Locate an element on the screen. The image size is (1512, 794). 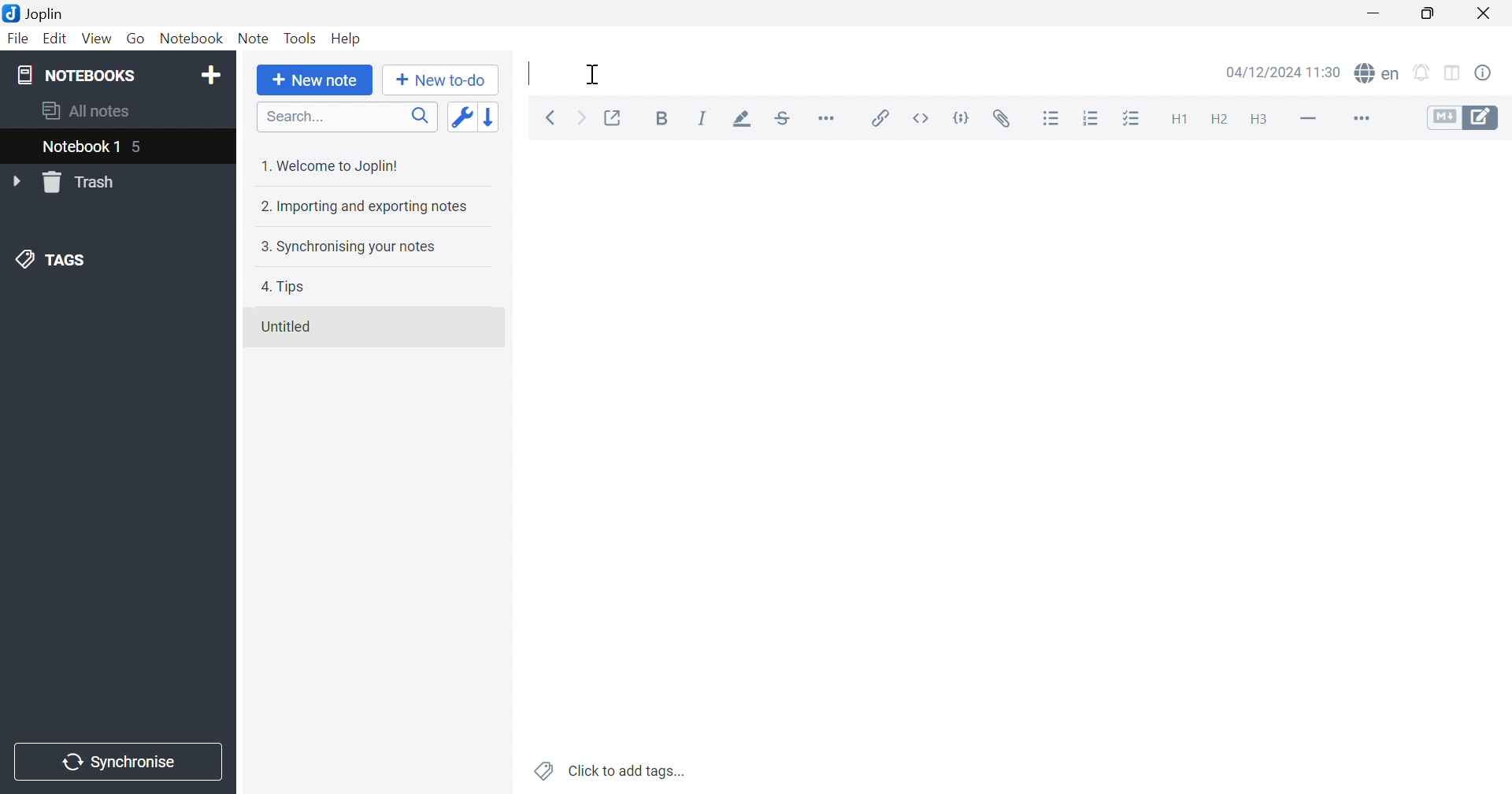
New note is located at coordinates (316, 80).